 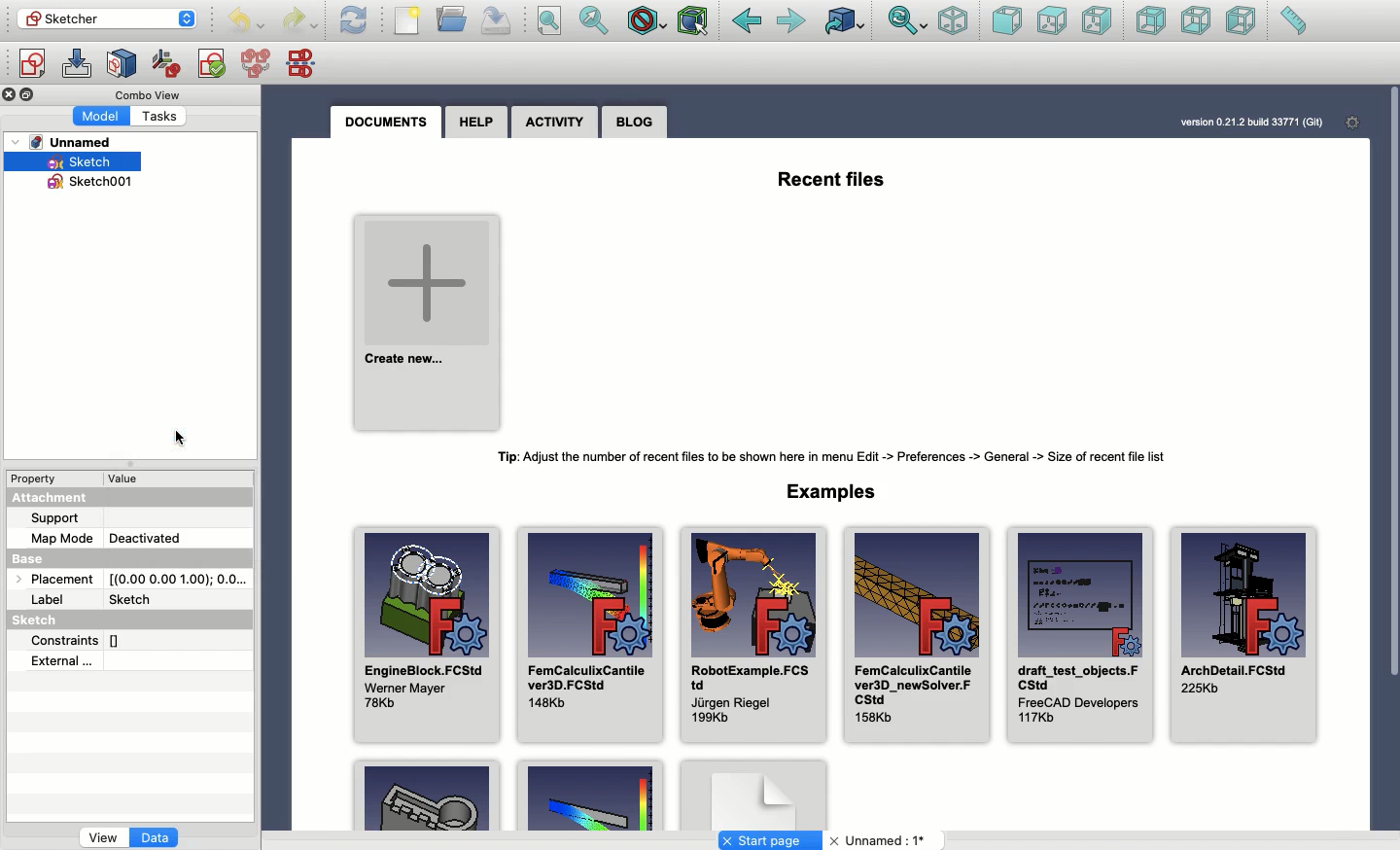 What do you see at coordinates (135, 597) in the screenshot?
I see `Sketch` at bounding box center [135, 597].